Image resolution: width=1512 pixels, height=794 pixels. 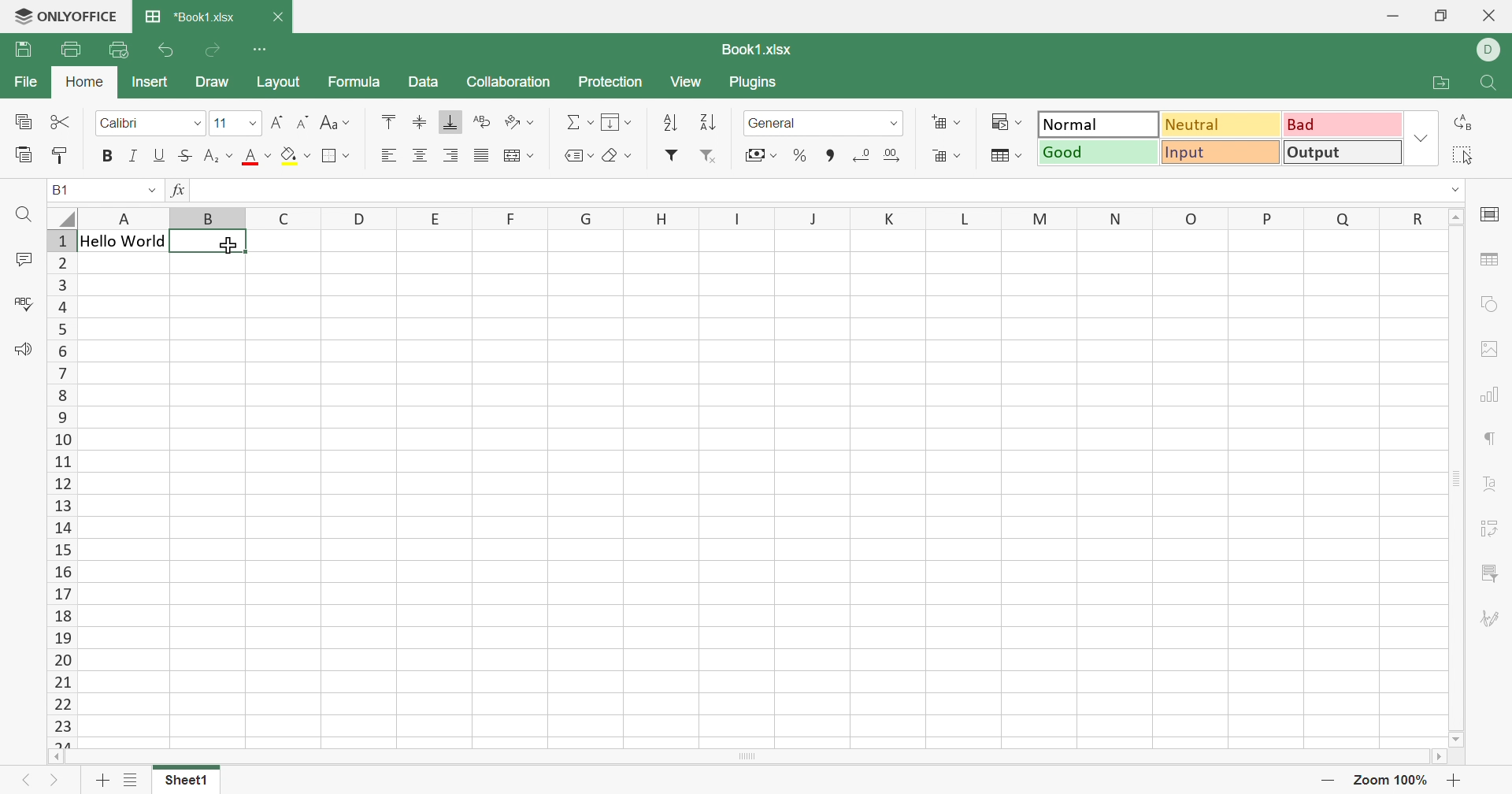 I want to click on Row numbers, so click(x=61, y=487).